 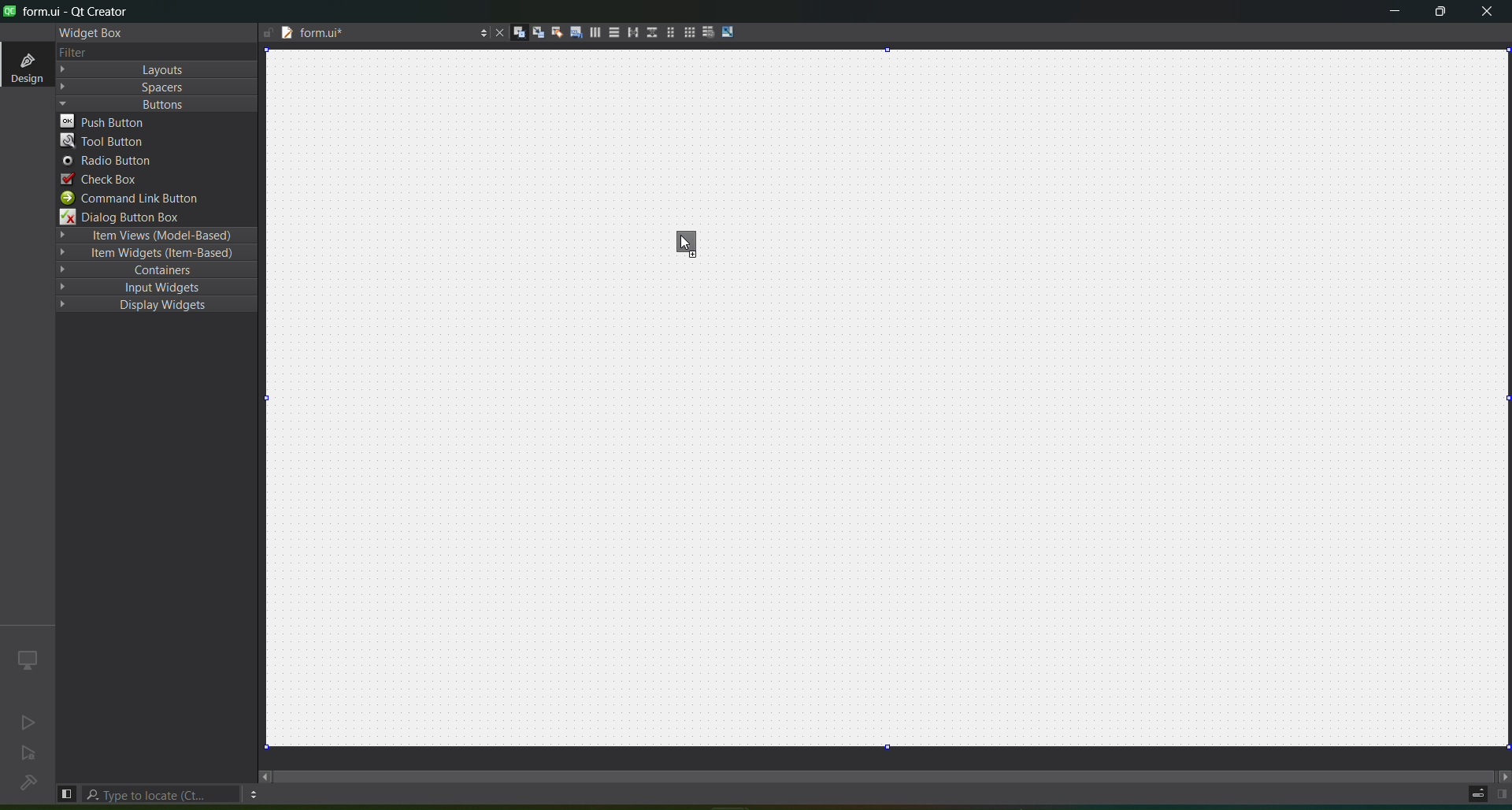 I want to click on edit signal slots, so click(x=534, y=30).